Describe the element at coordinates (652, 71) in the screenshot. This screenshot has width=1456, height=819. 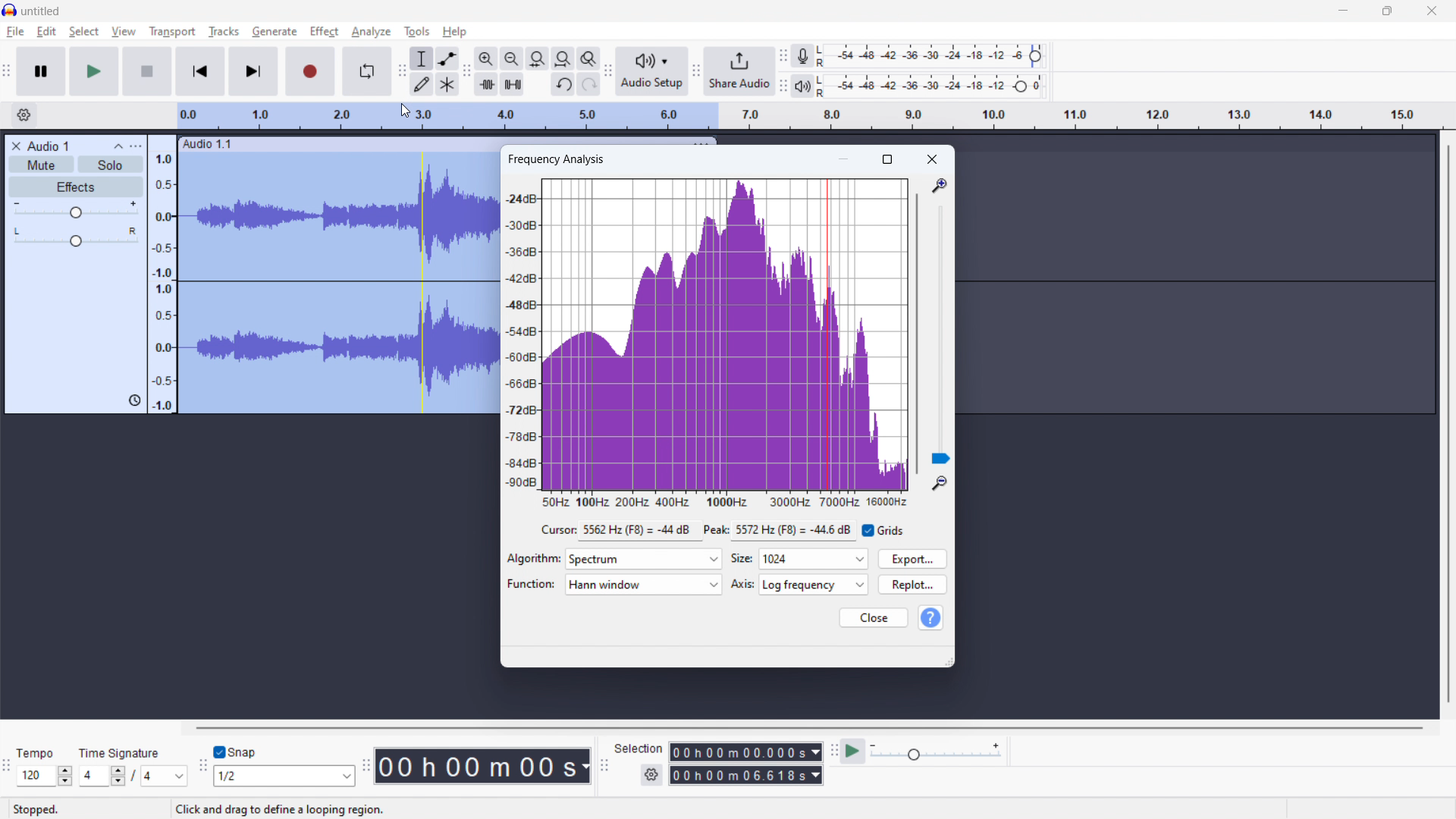
I see `audio setup` at that location.